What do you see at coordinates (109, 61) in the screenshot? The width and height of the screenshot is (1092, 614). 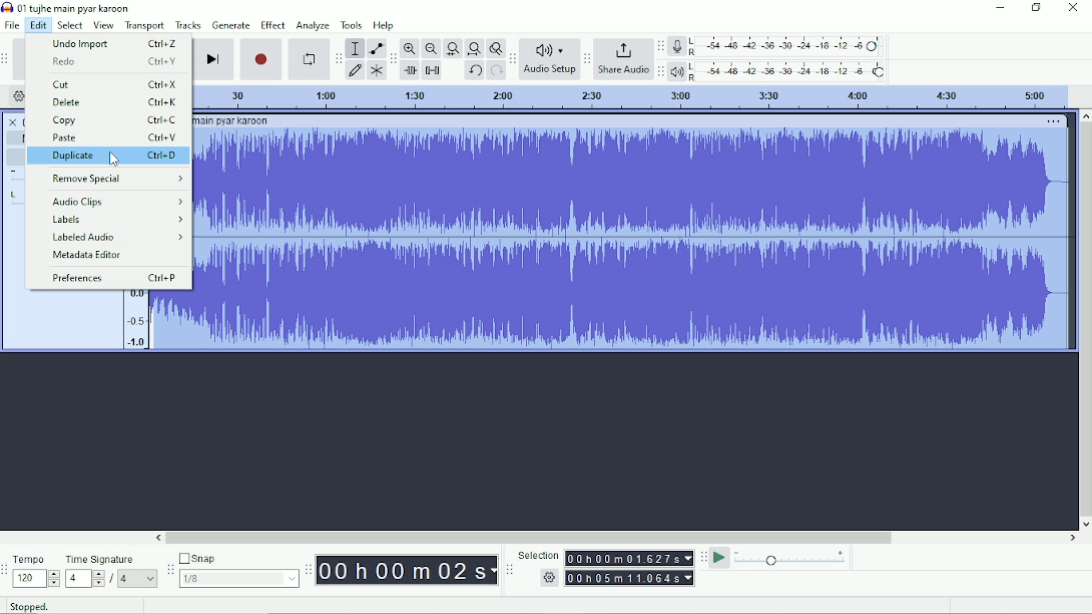 I see `Redo ` at bounding box center [109, 61].